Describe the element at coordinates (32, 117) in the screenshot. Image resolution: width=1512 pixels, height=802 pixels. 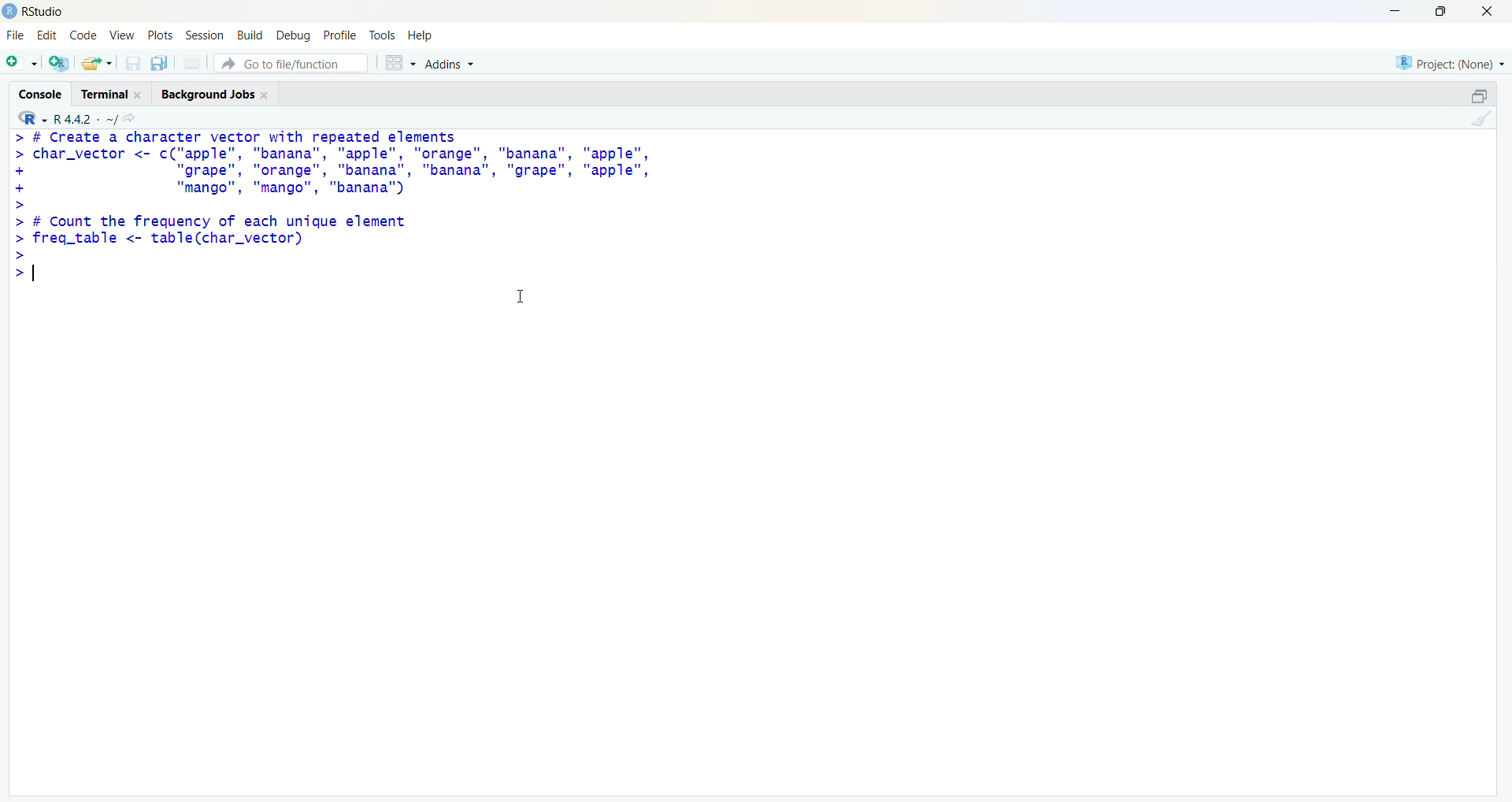
I see `R` at that location.